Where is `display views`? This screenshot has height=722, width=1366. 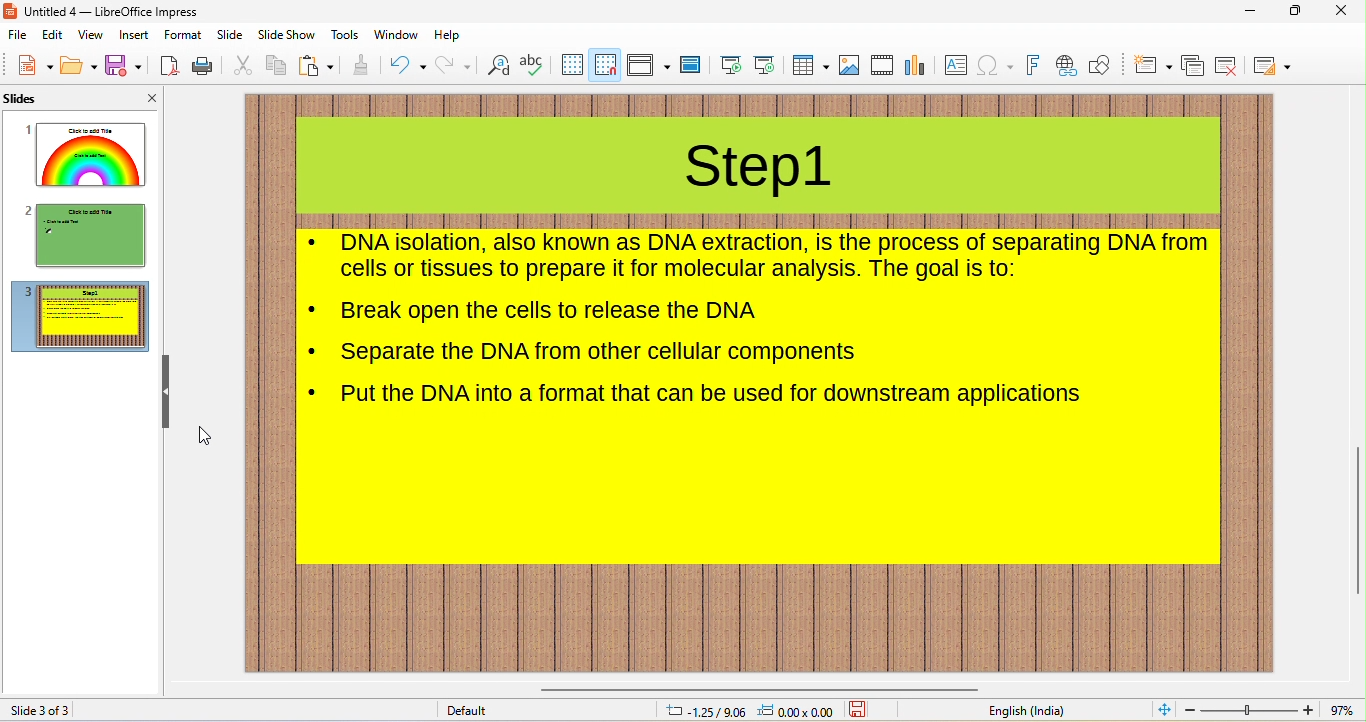
display views is located at coordinates (649, 64).